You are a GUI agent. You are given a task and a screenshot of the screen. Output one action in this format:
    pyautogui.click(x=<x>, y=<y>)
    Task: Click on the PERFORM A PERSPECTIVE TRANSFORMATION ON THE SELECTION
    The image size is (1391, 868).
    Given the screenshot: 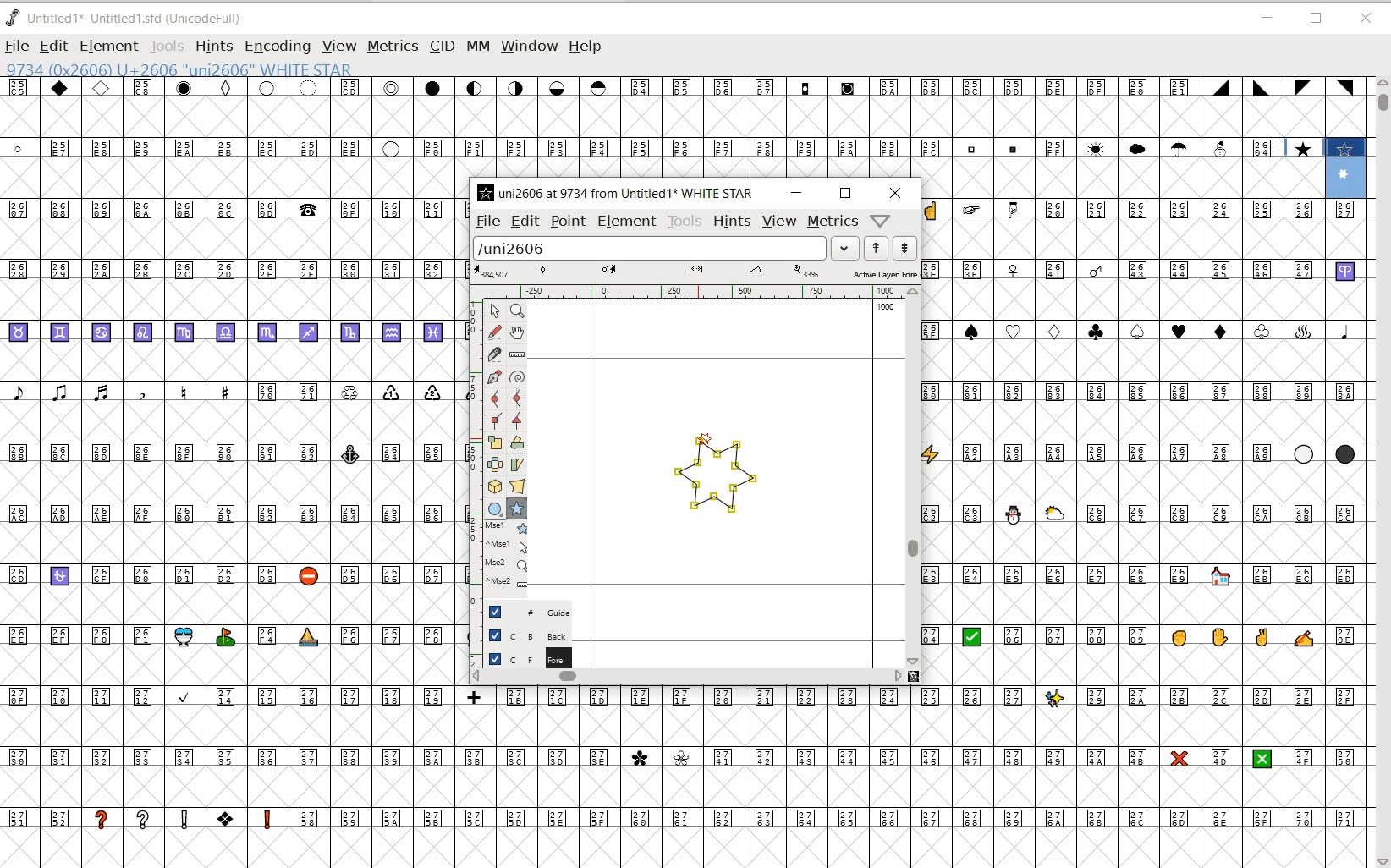 What is the action you would take?
    pyautogui.click(x=518, y=486)
    